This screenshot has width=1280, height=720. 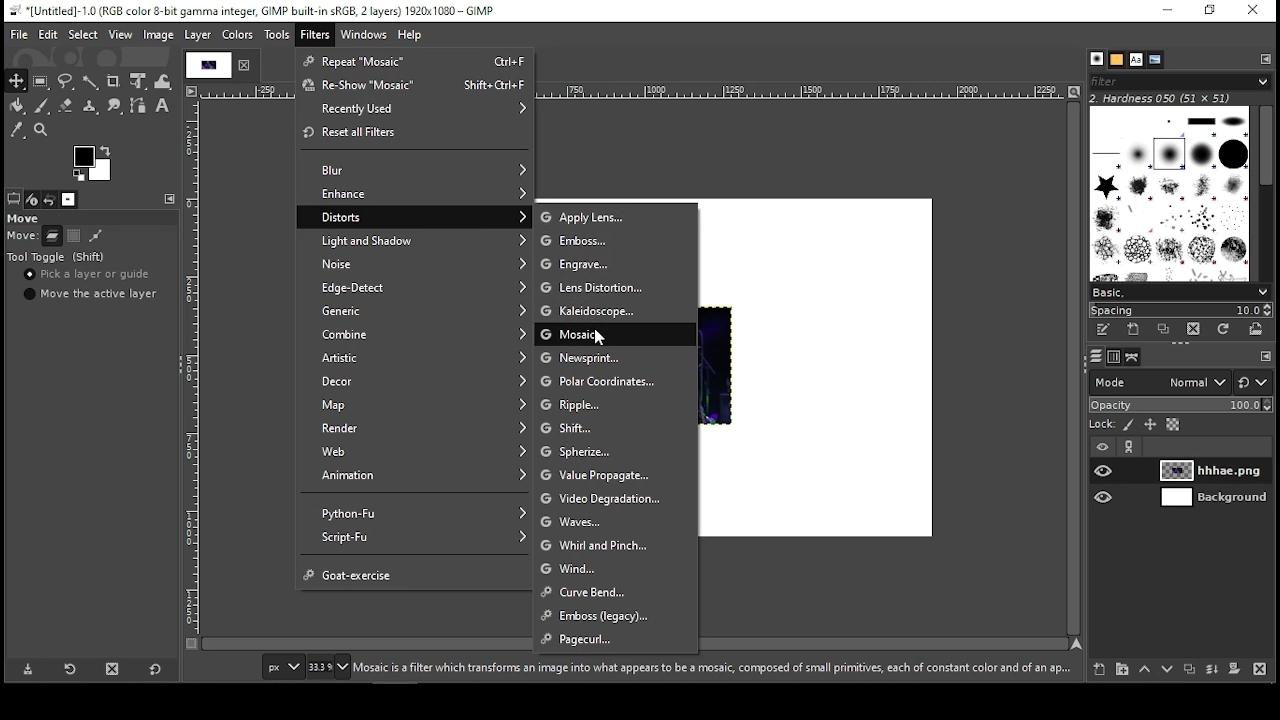 I want to click on tools, so click(x=278, y=37).